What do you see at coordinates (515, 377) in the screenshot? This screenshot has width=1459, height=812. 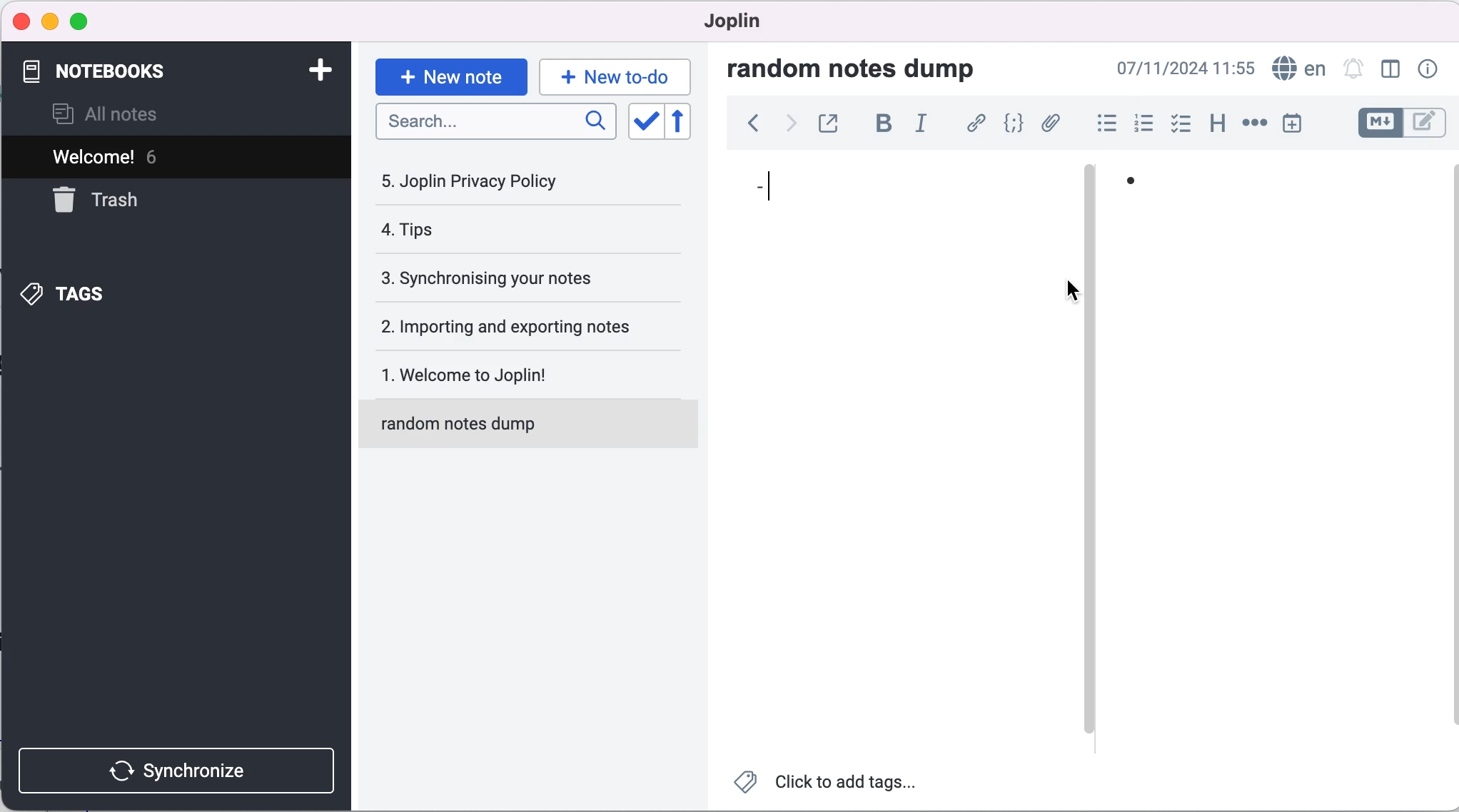 I see `welcome to joplin!` at bounding box center [515, 377].